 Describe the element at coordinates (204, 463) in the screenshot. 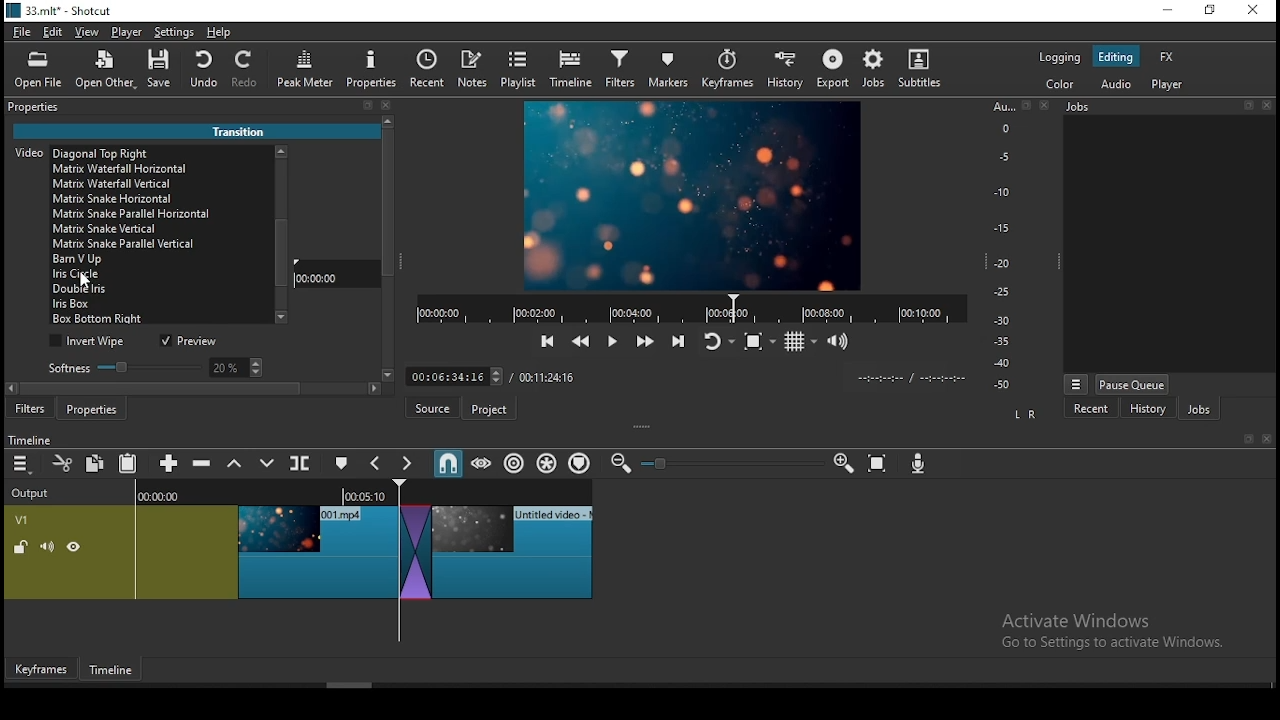

I see `ripple delete` at that location.